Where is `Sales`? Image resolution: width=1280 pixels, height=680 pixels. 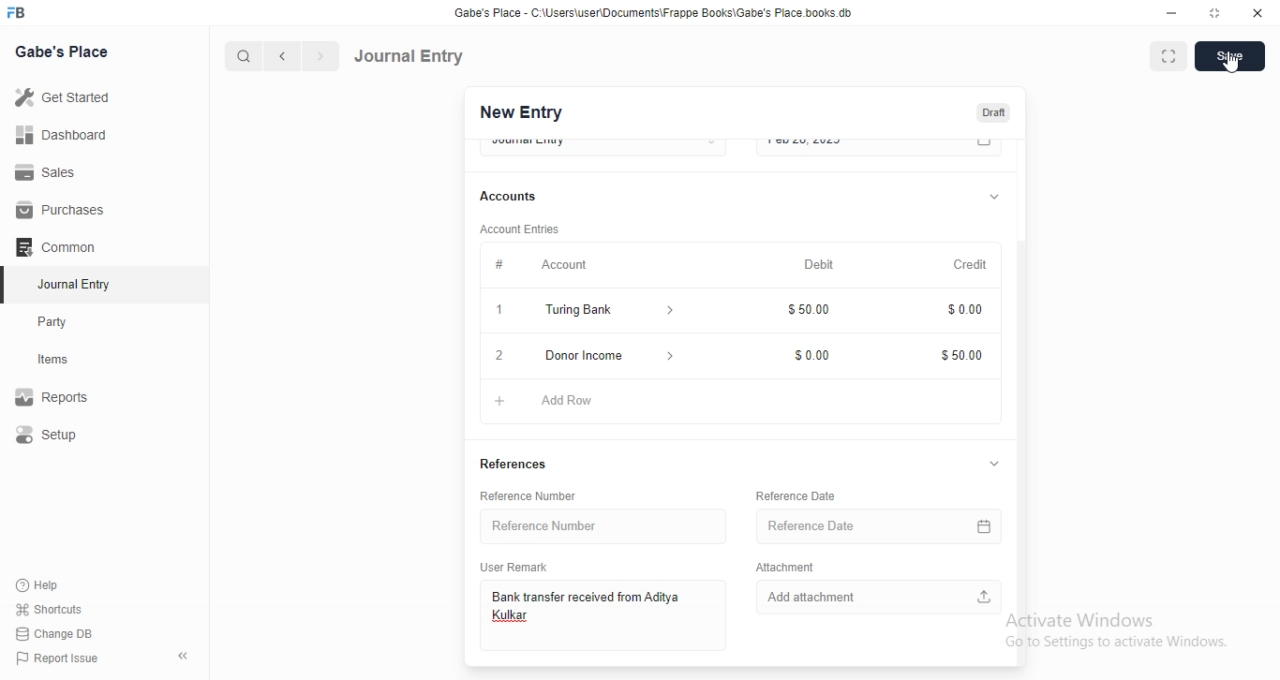 Sales is located at coordinates (64, 171).